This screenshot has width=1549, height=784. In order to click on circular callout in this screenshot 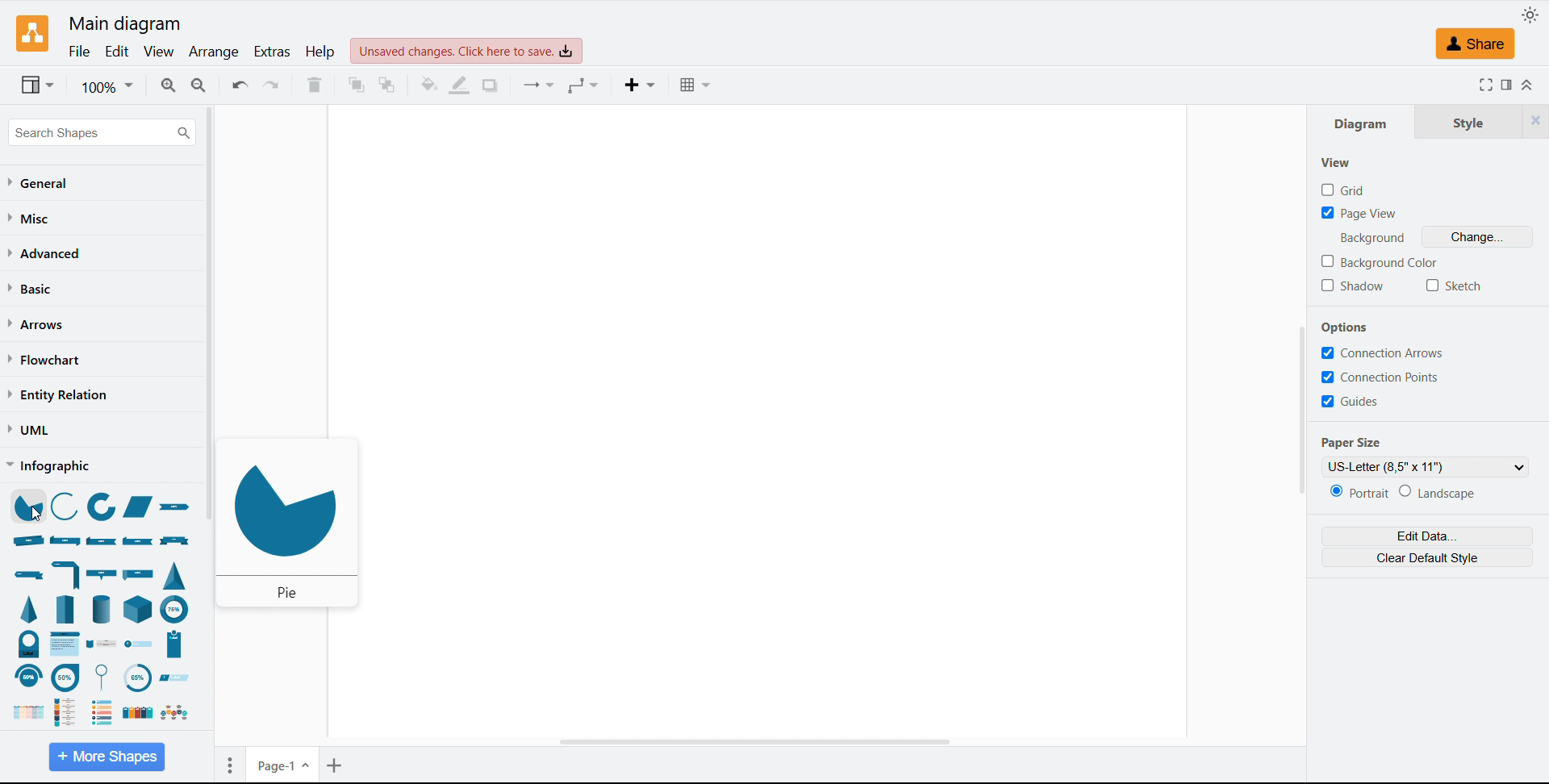, I will do `click(105, 677)`.